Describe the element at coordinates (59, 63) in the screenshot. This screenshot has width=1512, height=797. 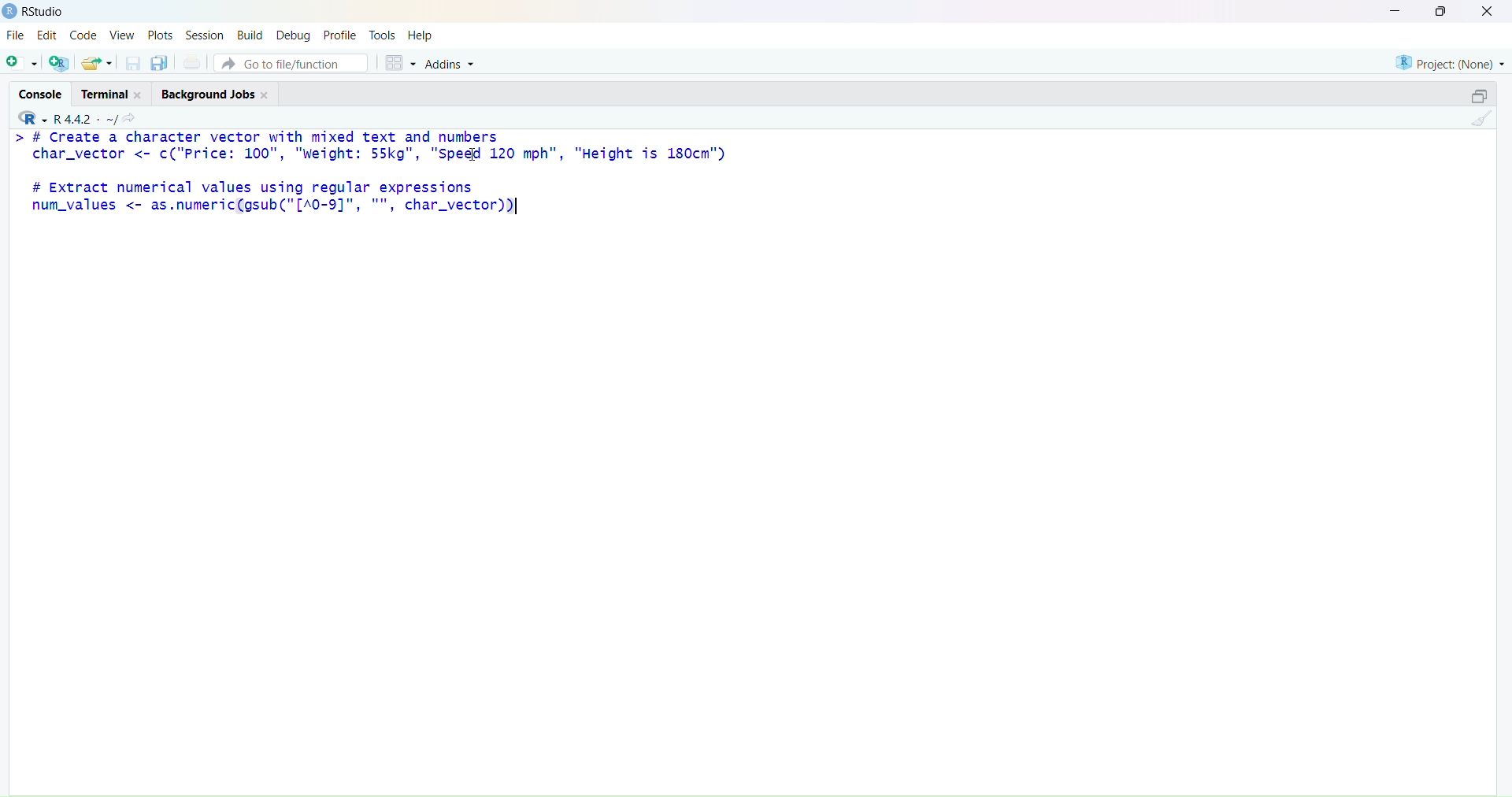
I see `add R file` at that location.